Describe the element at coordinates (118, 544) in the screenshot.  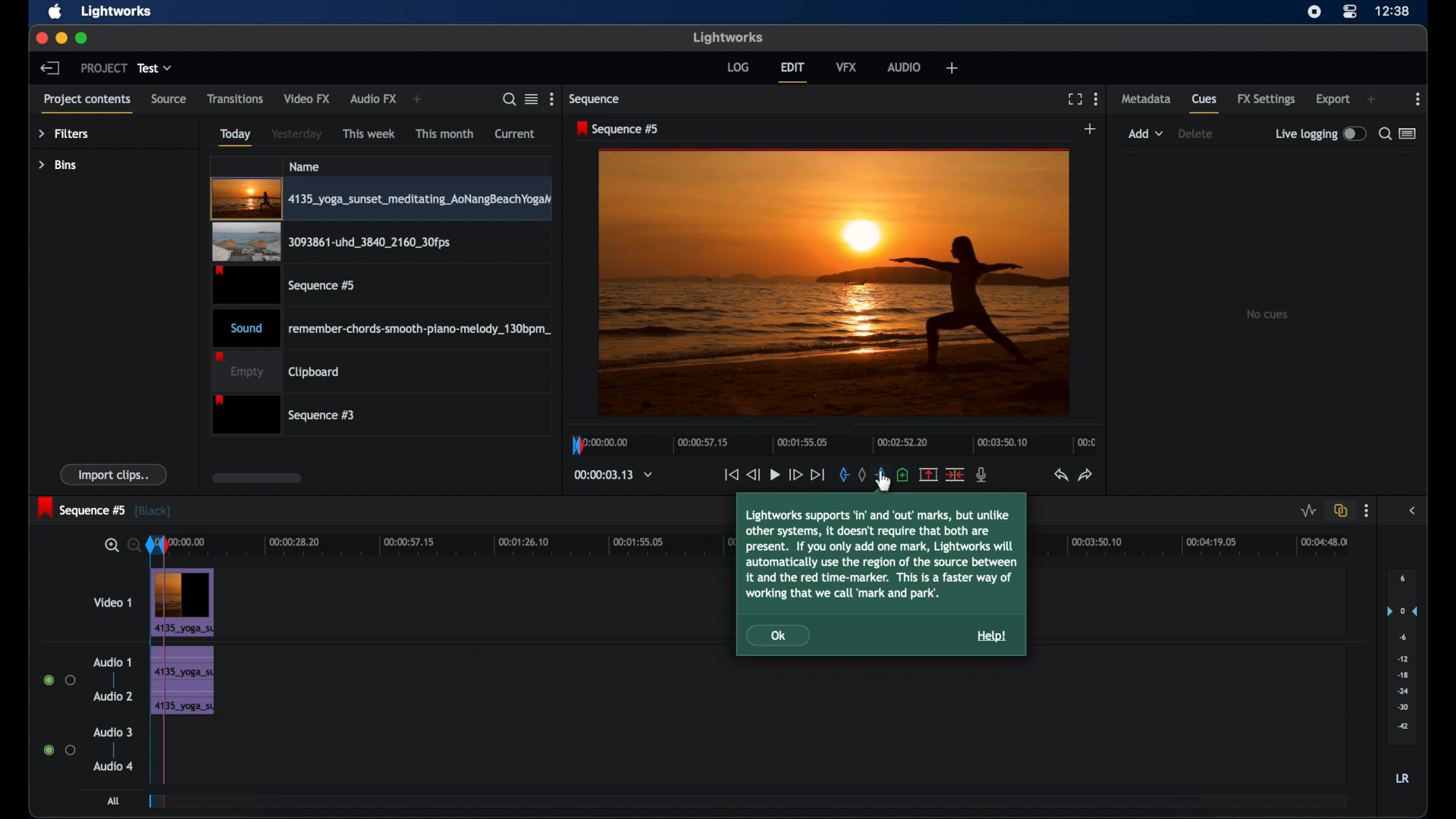
I see `zoom ` at that location.